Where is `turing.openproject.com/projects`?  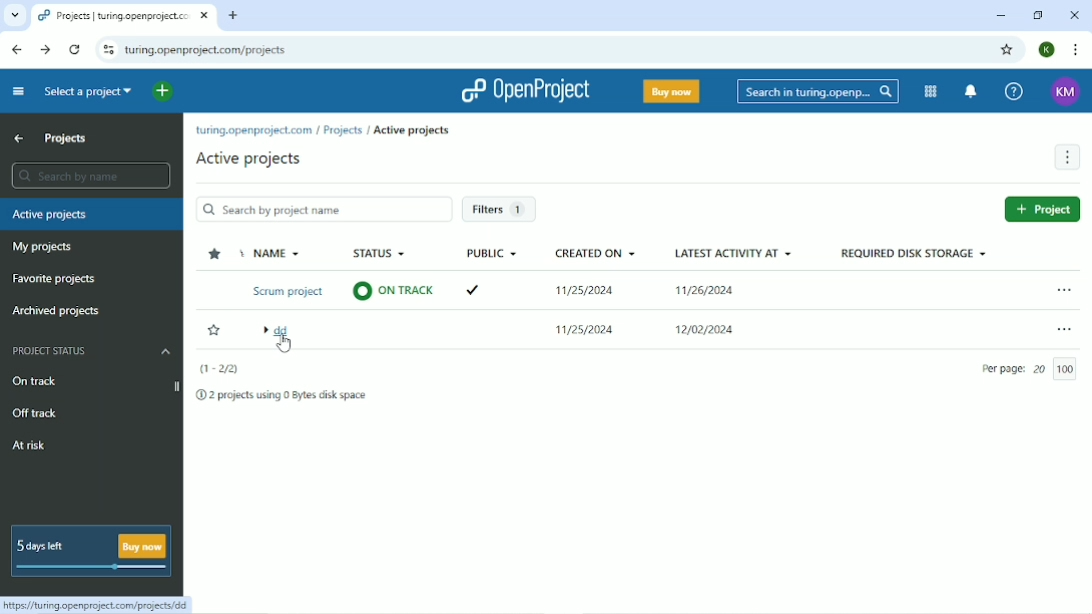 turing.openproject.com/projects is located at coordinates (206, 49).